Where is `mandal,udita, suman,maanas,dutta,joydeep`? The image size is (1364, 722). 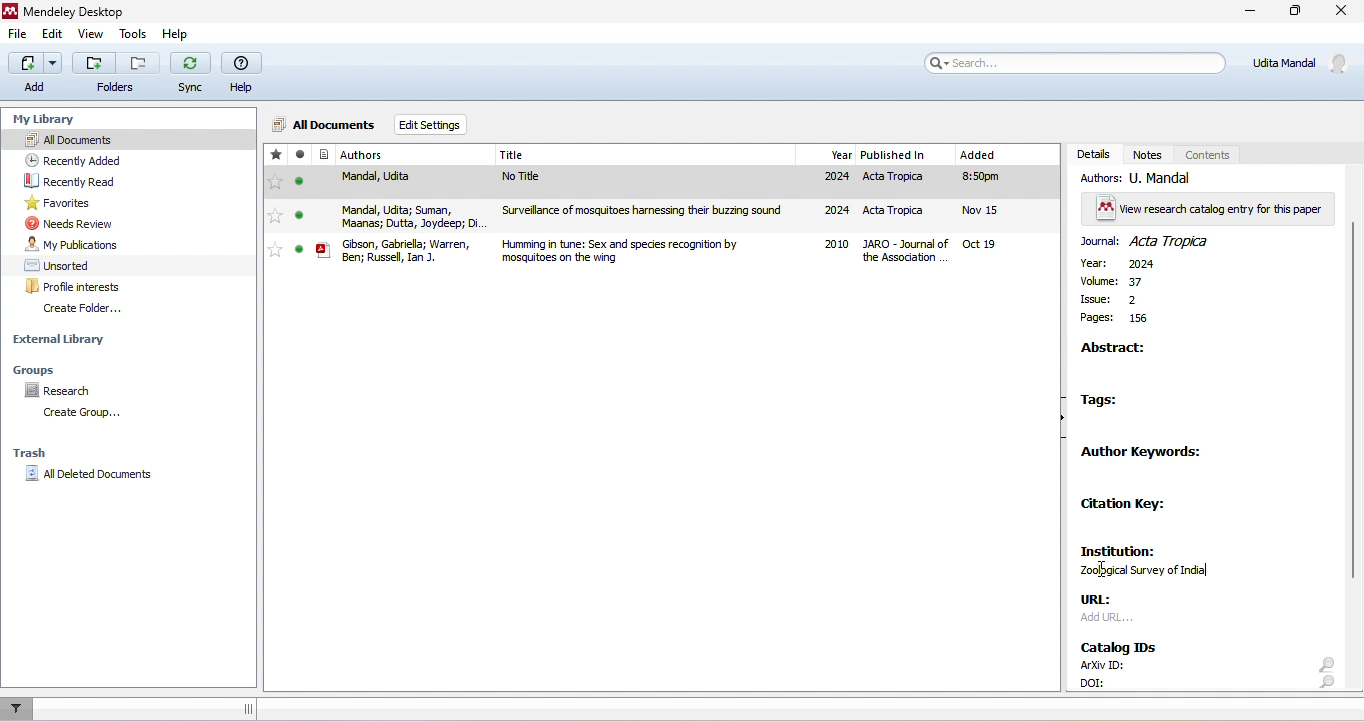
mandal,udita, suman,maanas,dutta,joydeep is located at coordinates (390, 215).